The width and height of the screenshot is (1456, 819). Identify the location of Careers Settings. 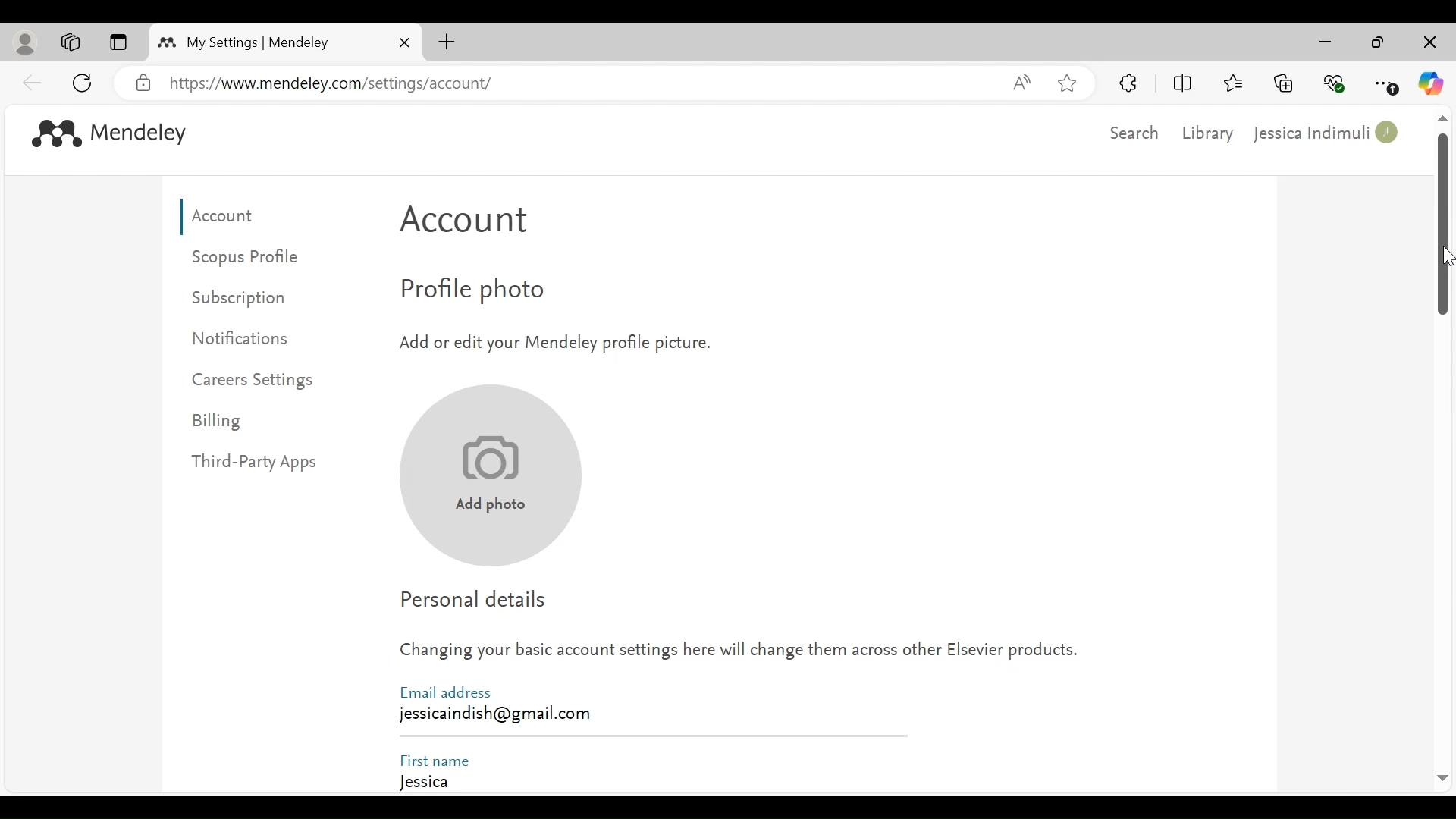
(256, 381).